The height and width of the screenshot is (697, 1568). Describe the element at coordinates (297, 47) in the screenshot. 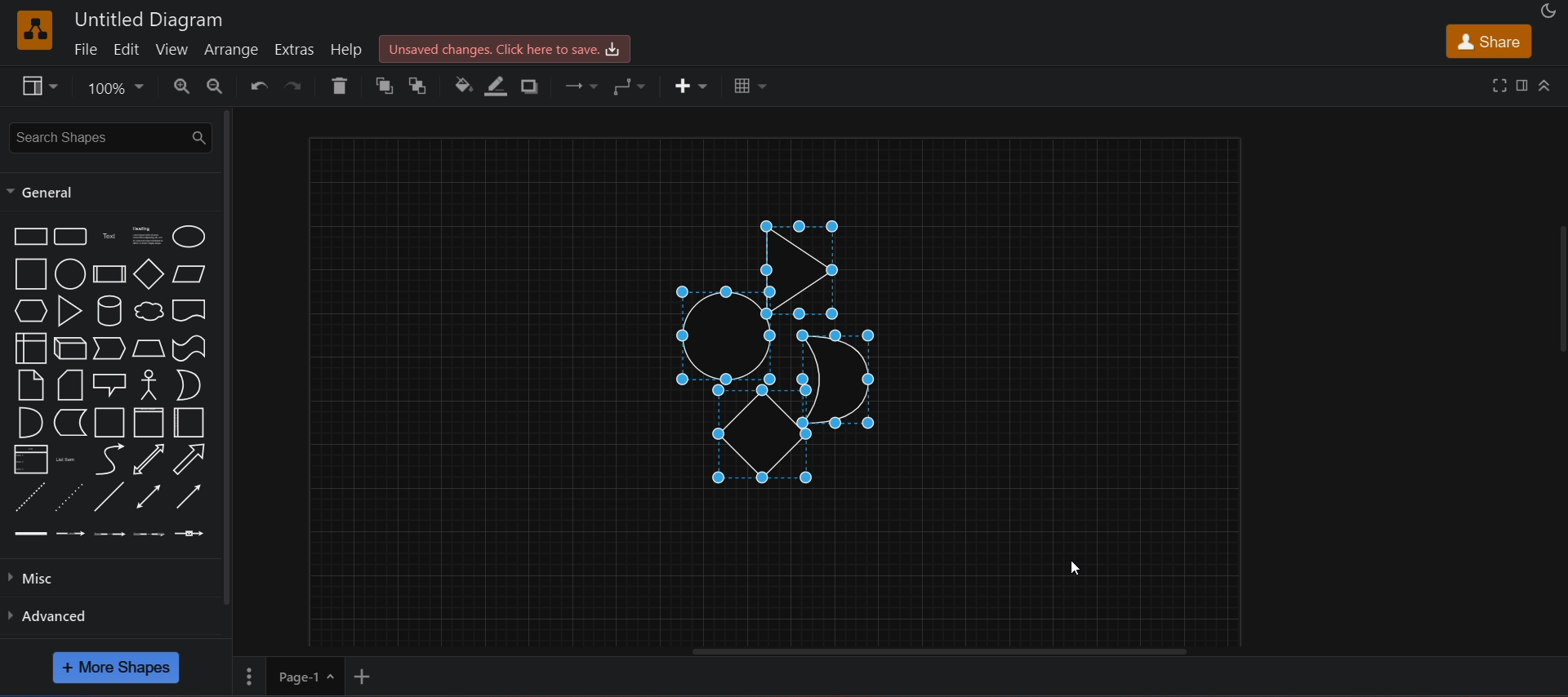

I see `extras` at that location.